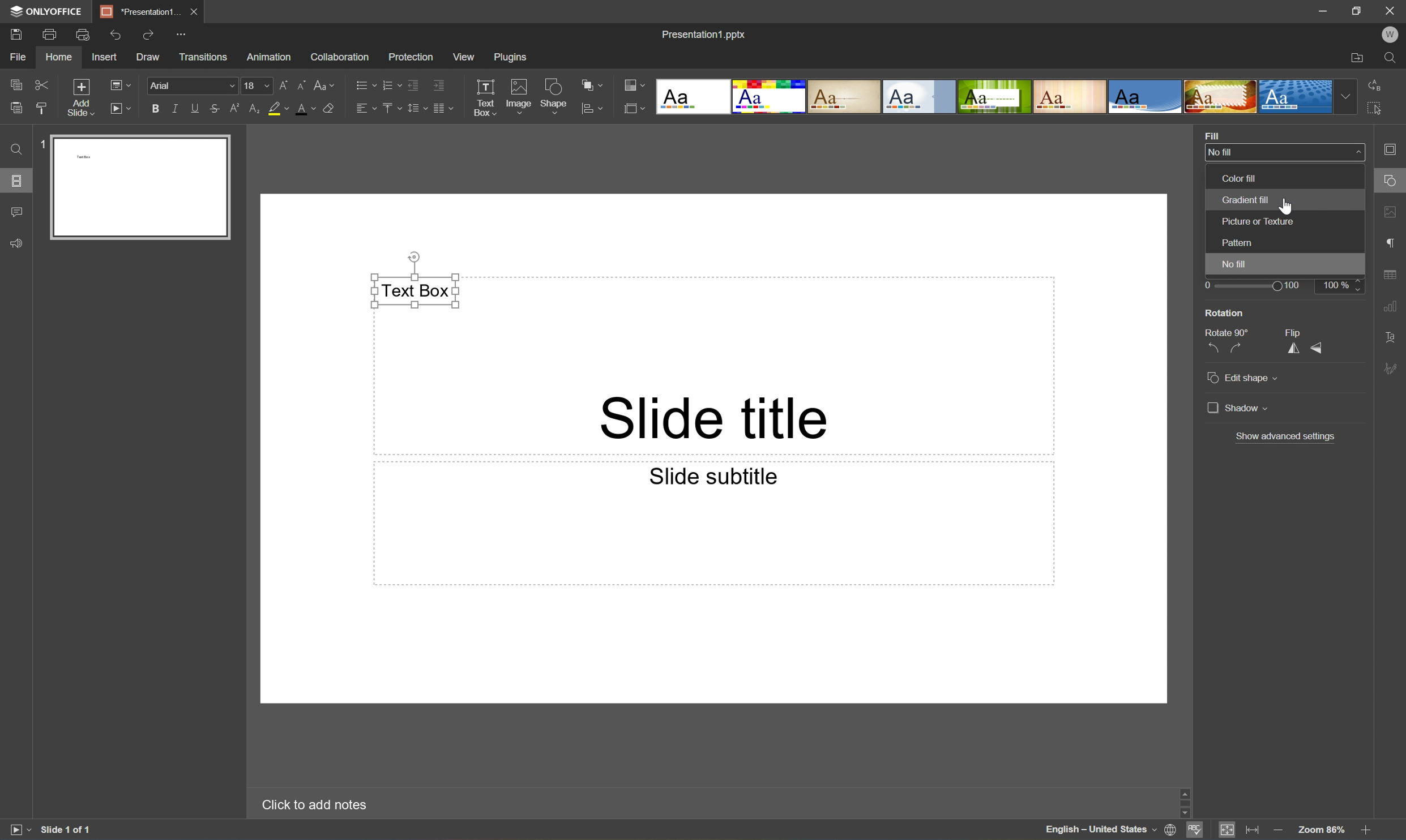 This screenshot has height=840, width=1406. Describe the element at coordinates (1395, 273) in the screenshot. I see `Table settings` at that location.